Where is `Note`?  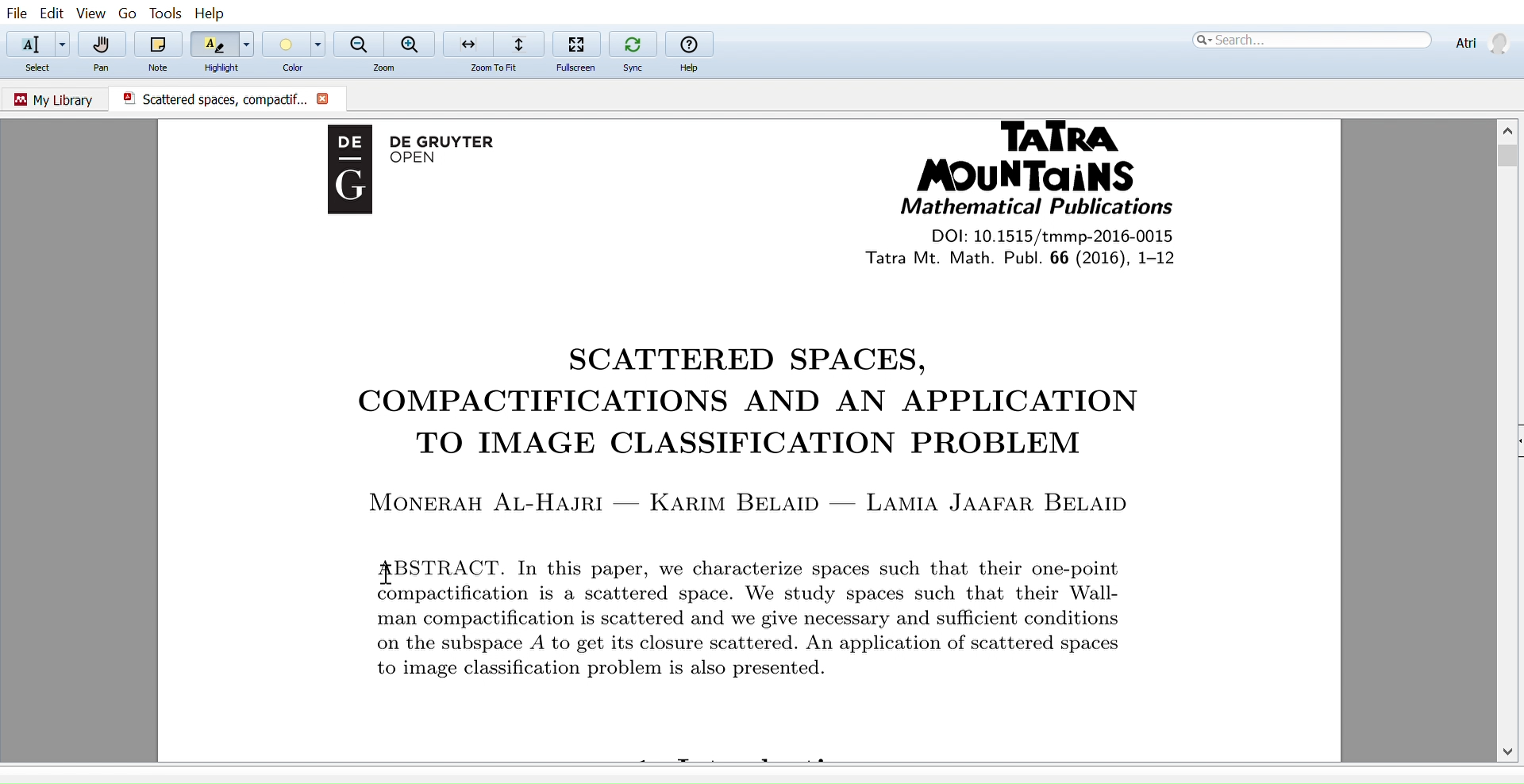
Note is located at coordinates (161, 66).